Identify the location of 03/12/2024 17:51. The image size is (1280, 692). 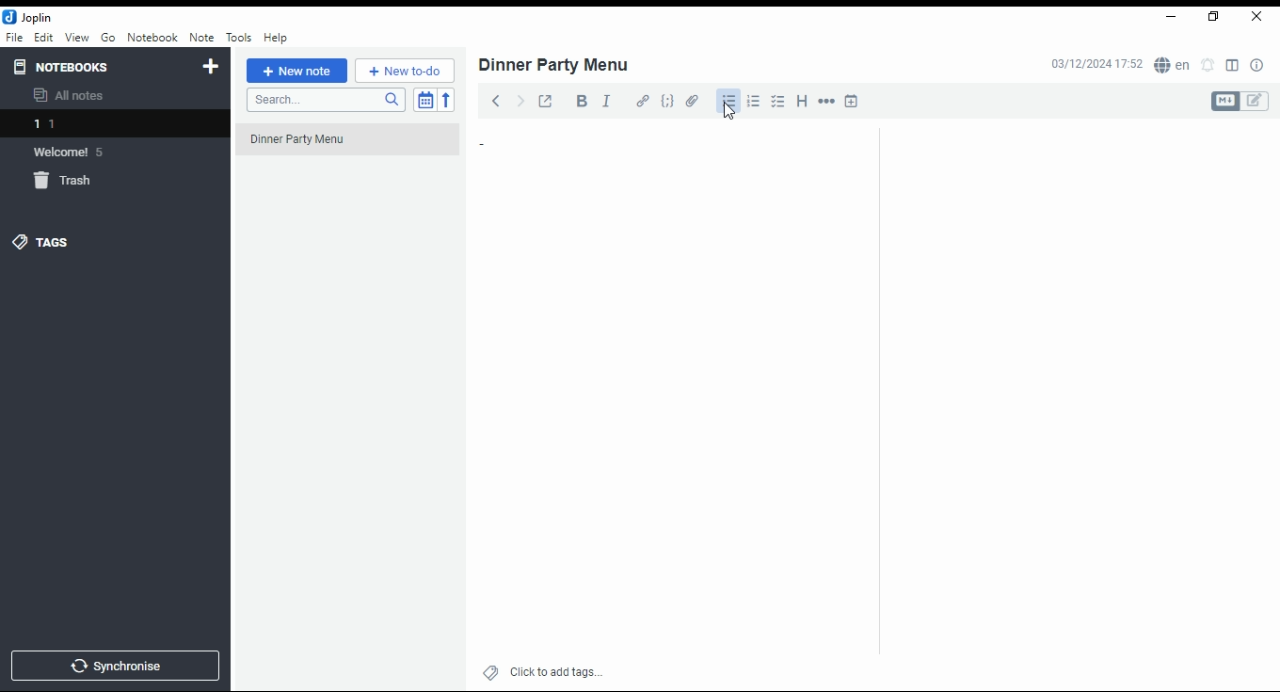
(1094, 65).